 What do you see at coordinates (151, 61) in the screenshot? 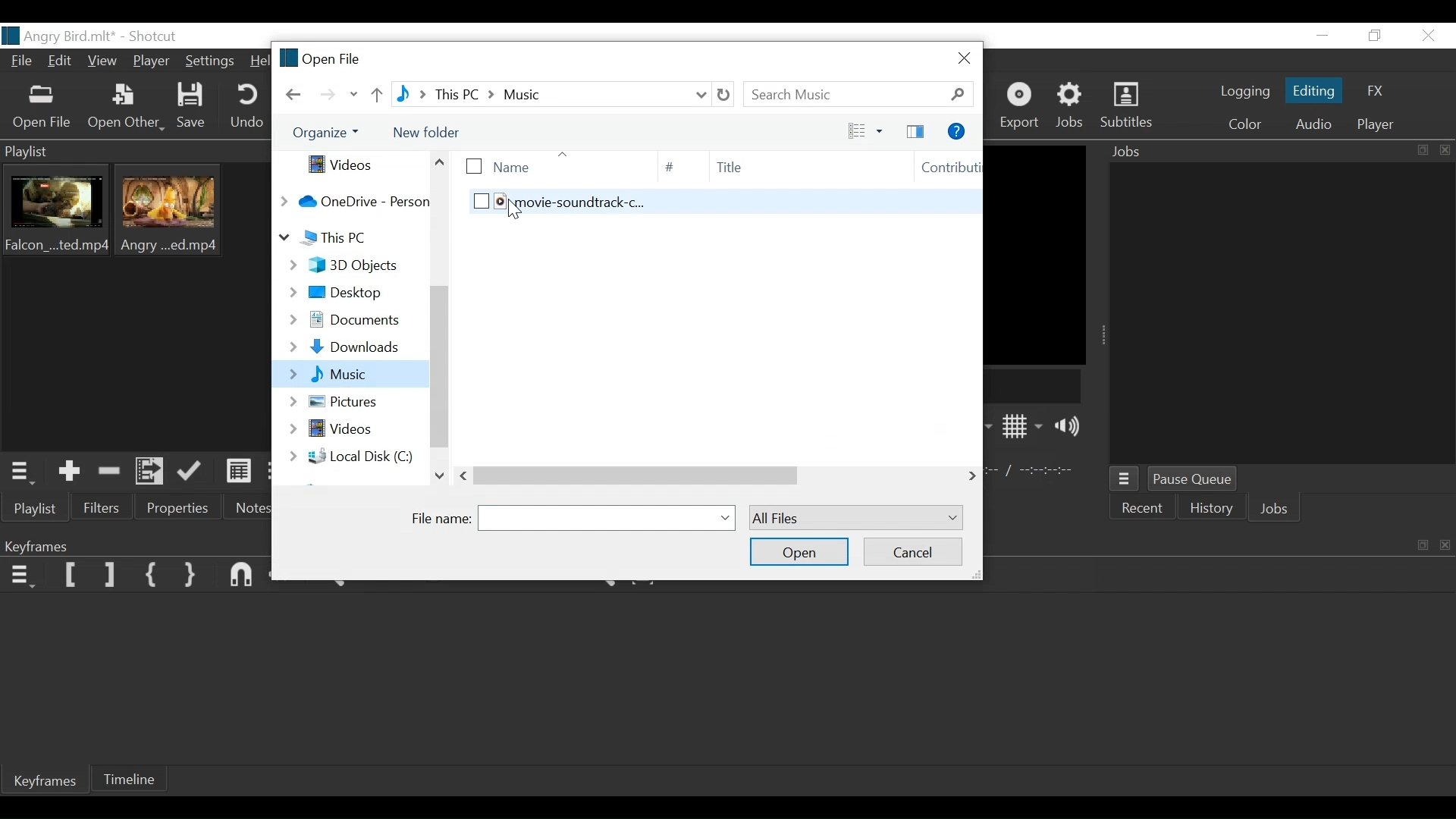
I see `Player` at bounding box center [151, 61].